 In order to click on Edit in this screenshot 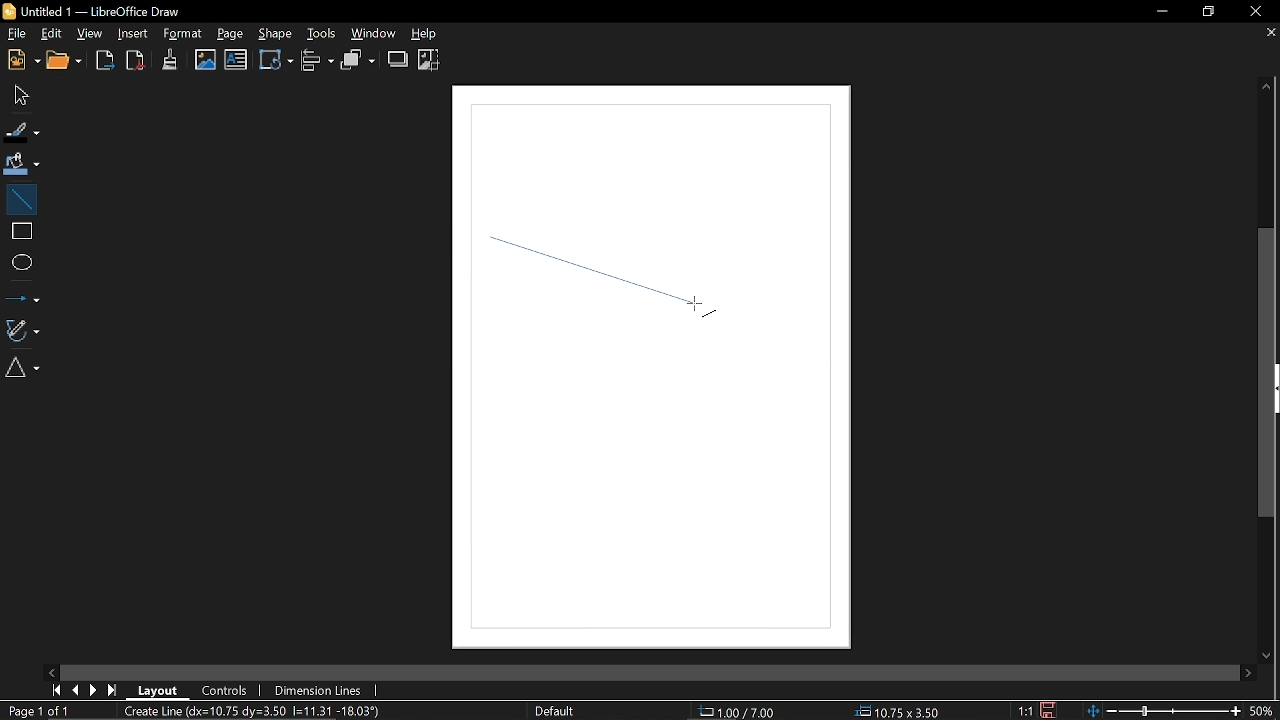, I will do `click(52, 32)`.